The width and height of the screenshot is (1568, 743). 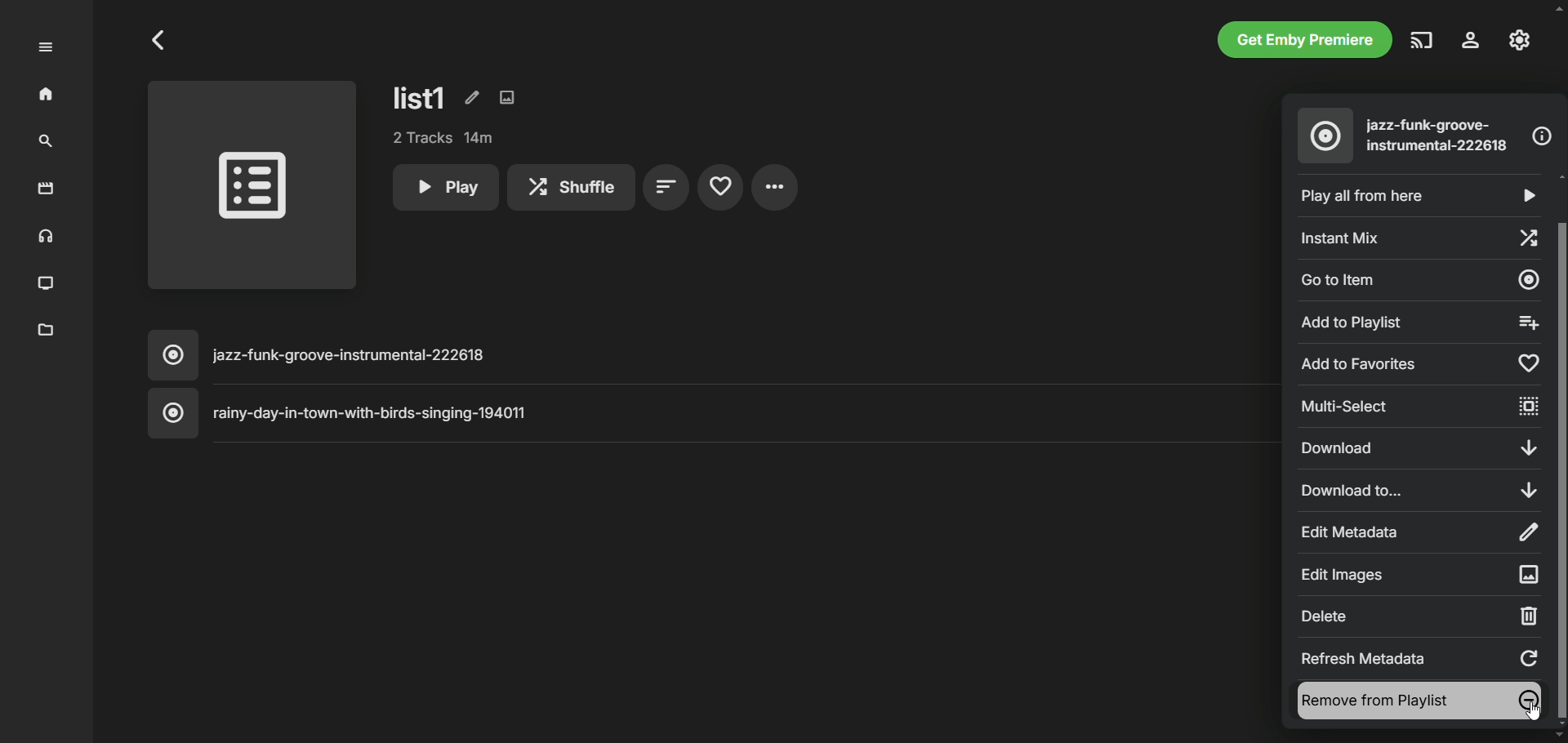 I want to click on manage emby server, so click(x=1520, y=40).